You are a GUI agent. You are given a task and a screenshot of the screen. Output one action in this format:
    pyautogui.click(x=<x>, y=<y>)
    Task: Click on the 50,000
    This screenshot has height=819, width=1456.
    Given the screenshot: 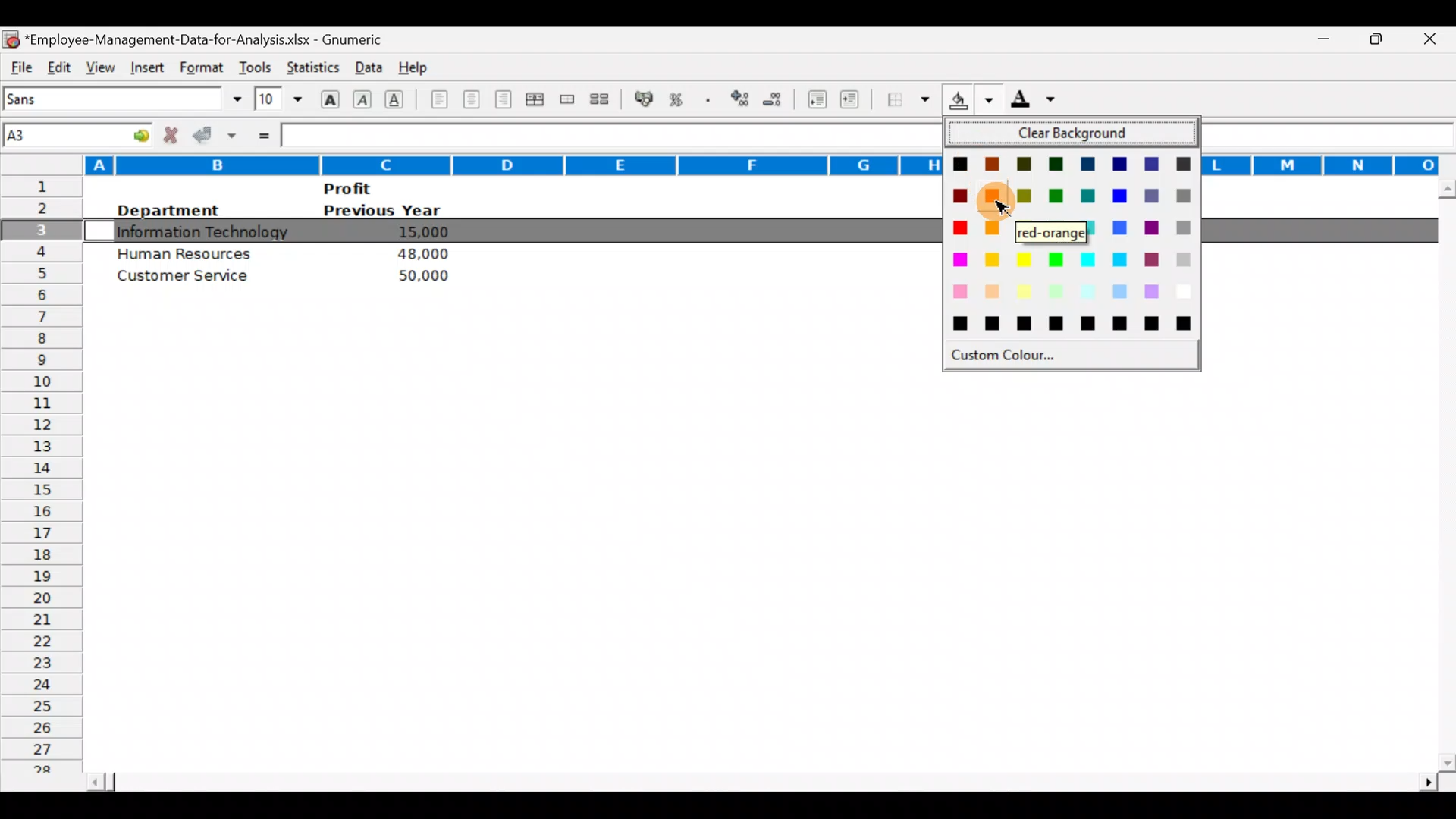 What is the action you would take?
    pyautogui.click(x=417, y=275)
    